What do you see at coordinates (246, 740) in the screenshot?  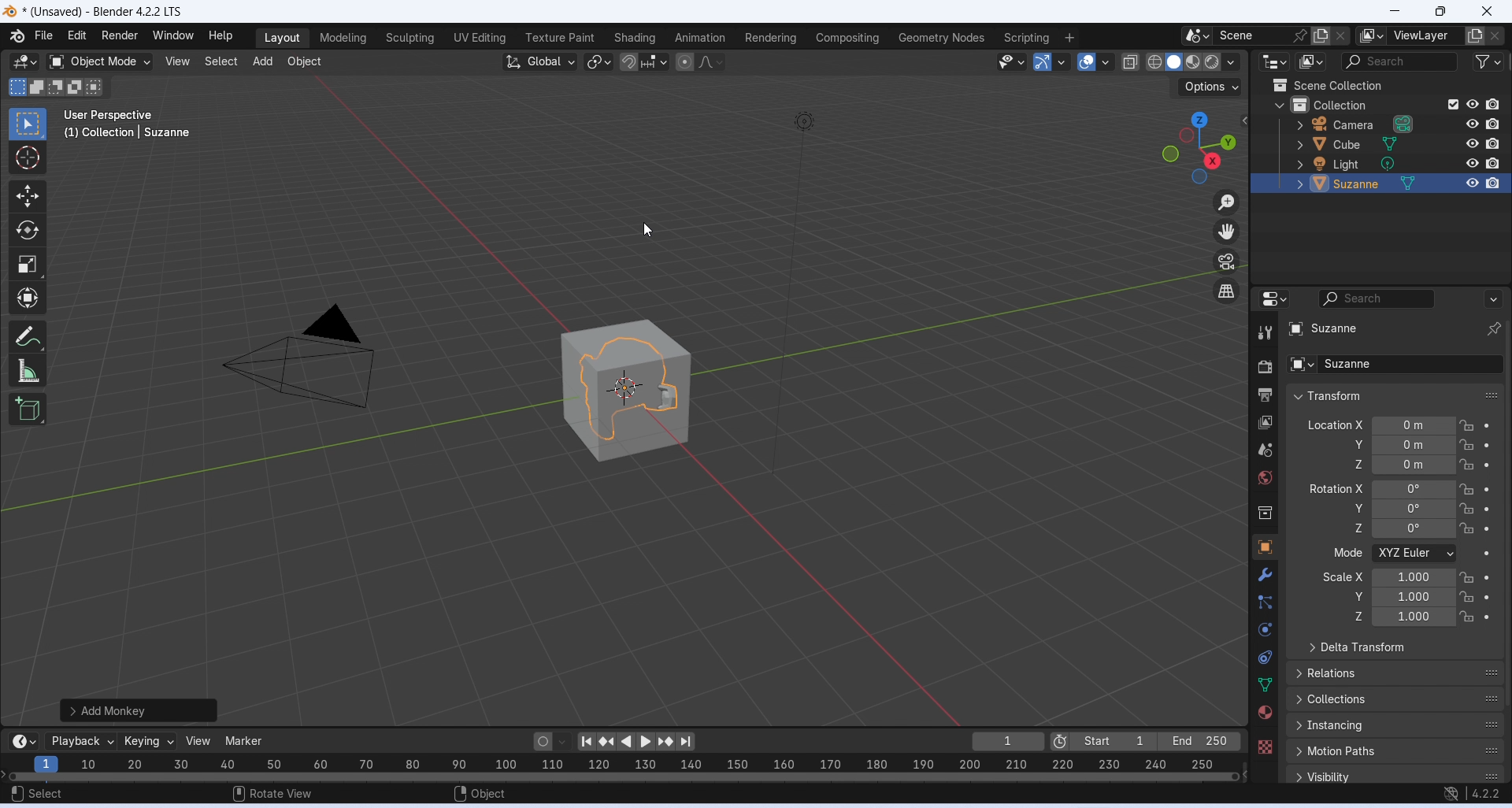 I see `marker` at bounding box center [246, 740].